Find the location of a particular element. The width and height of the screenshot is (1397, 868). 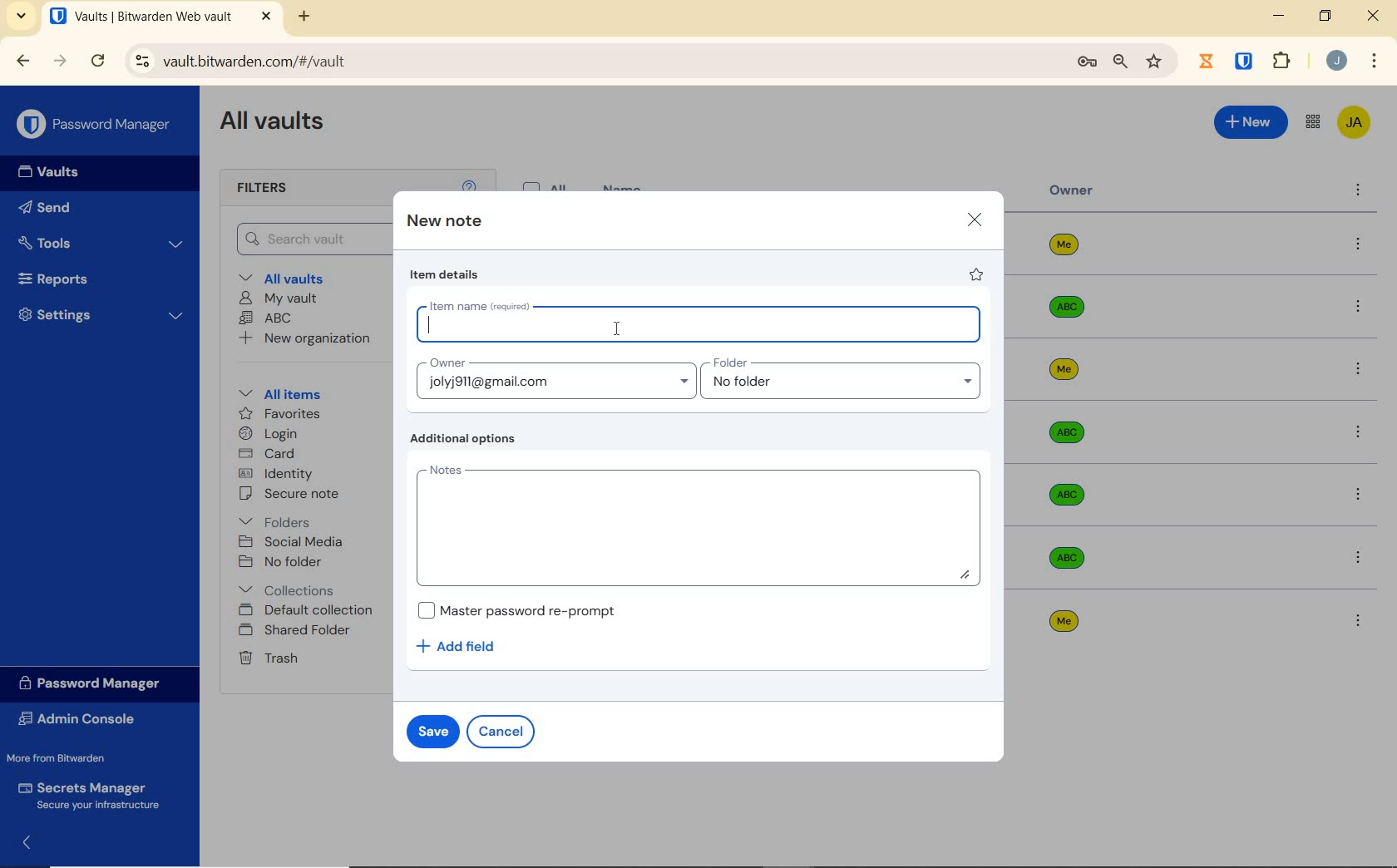

customize Google chrome is located at coordinates (1374, 62).